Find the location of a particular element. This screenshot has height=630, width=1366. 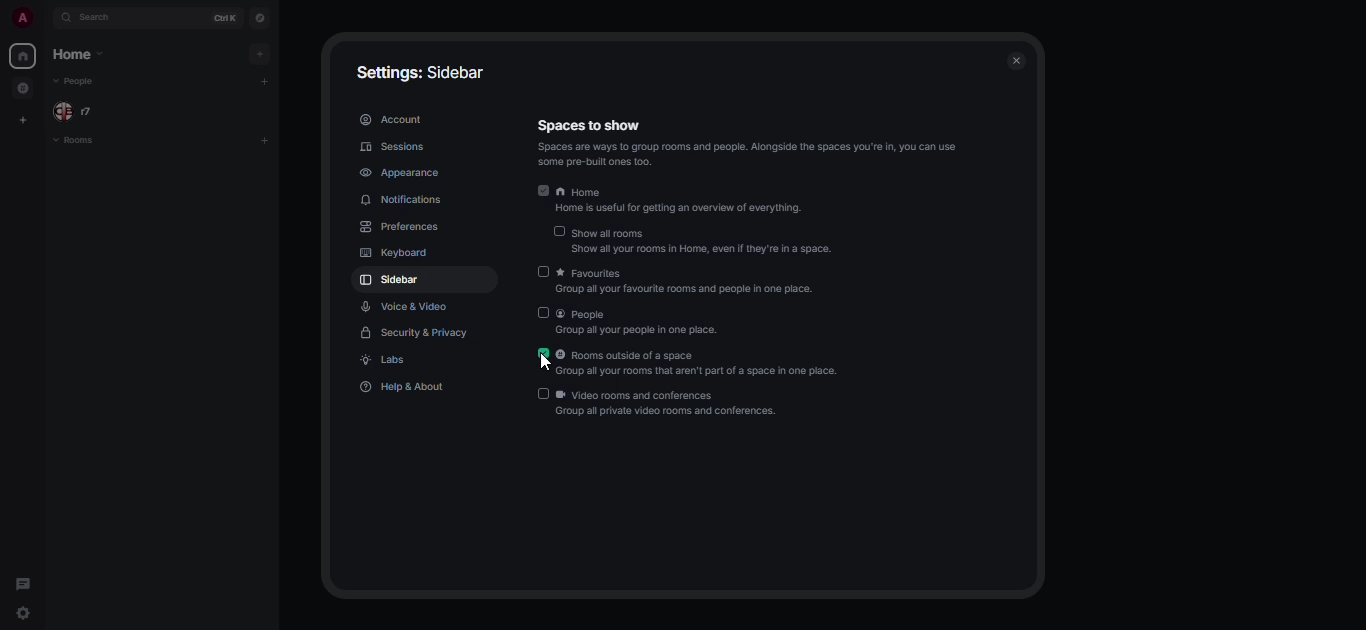

sidebar is located at coordinates (393, 279).